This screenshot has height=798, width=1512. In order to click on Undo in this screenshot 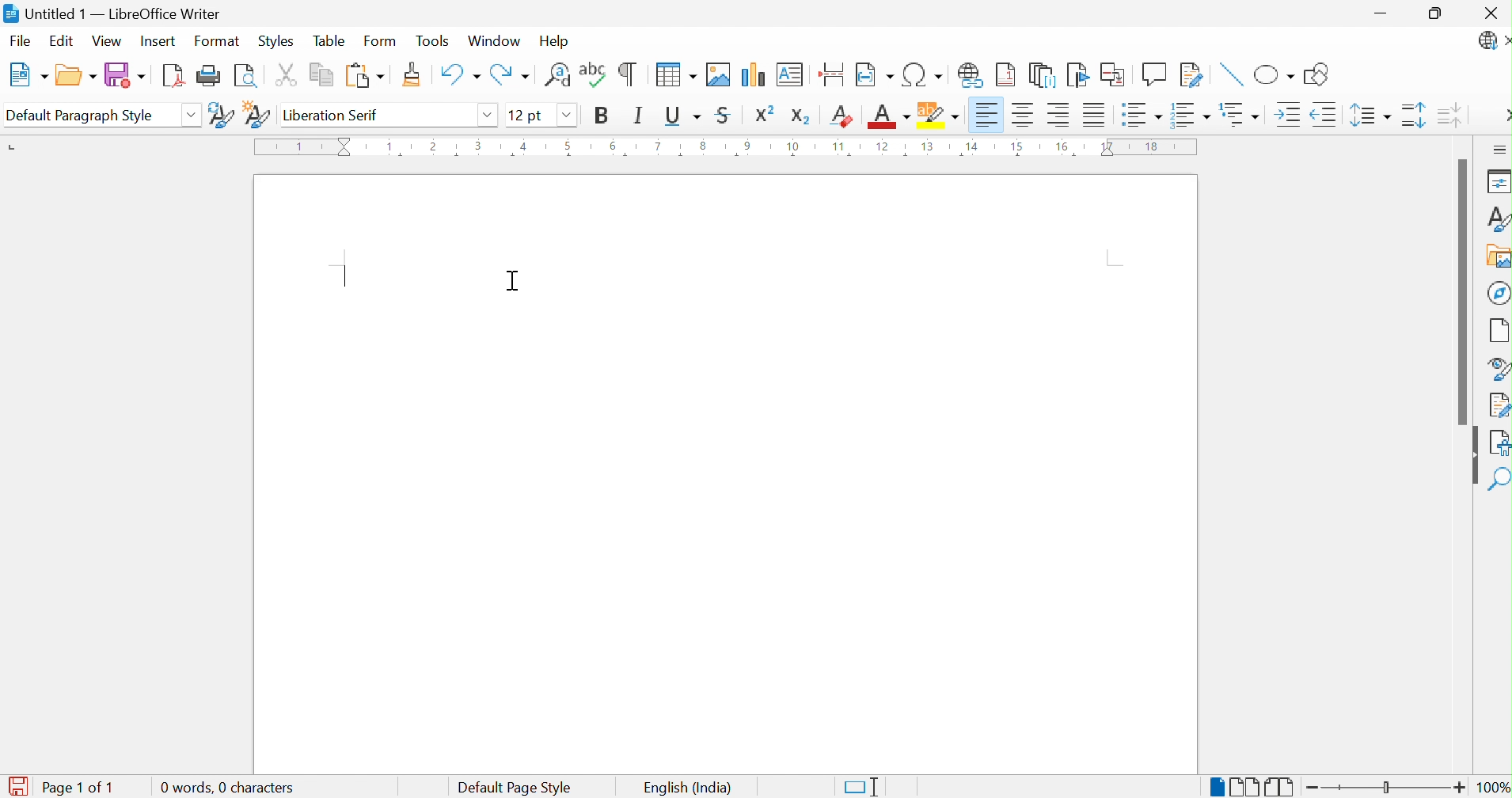, I will do `click(460, 75)`.